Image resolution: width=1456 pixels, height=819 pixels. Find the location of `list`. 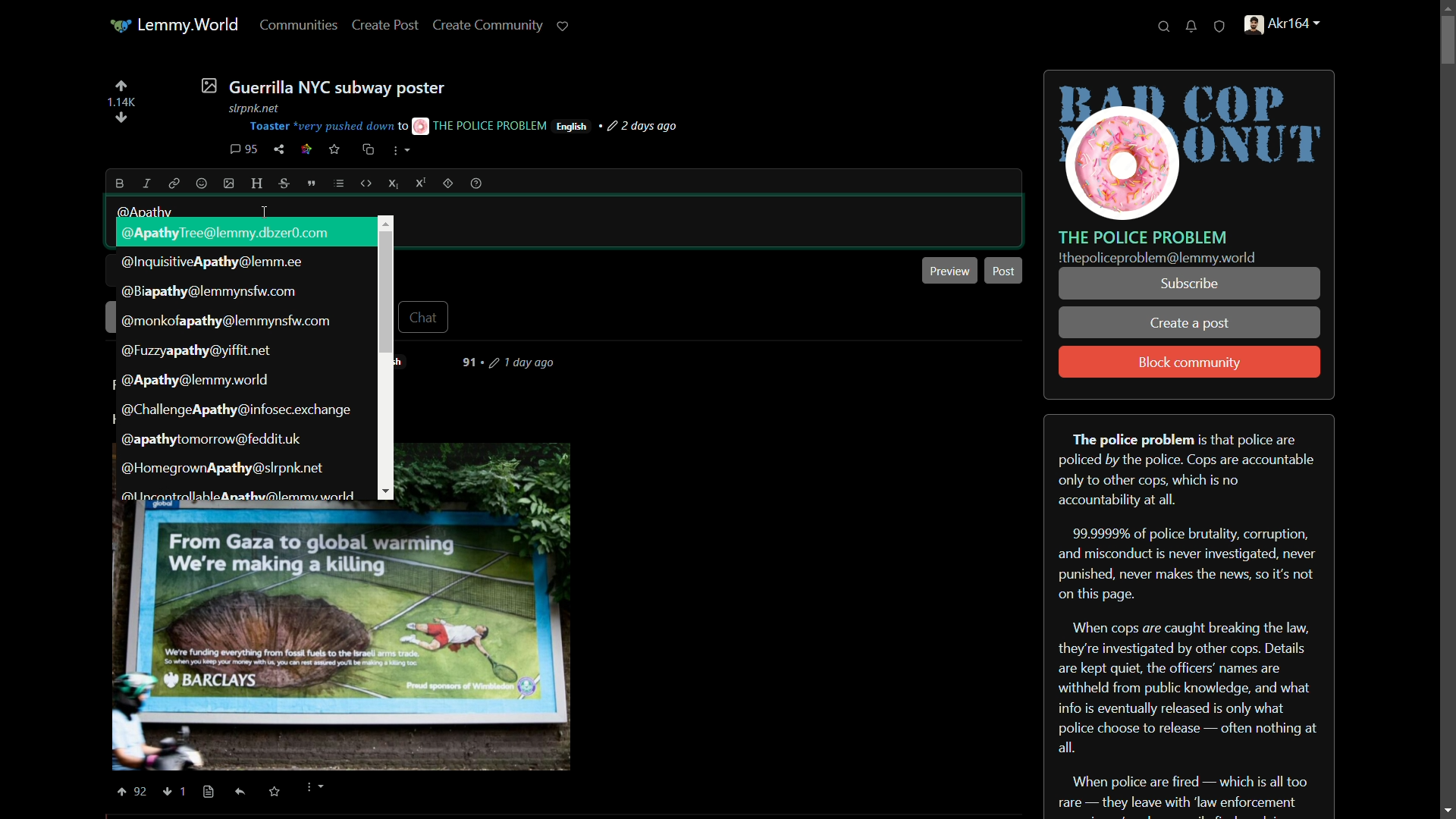

list is located at coordinates (339, 184).